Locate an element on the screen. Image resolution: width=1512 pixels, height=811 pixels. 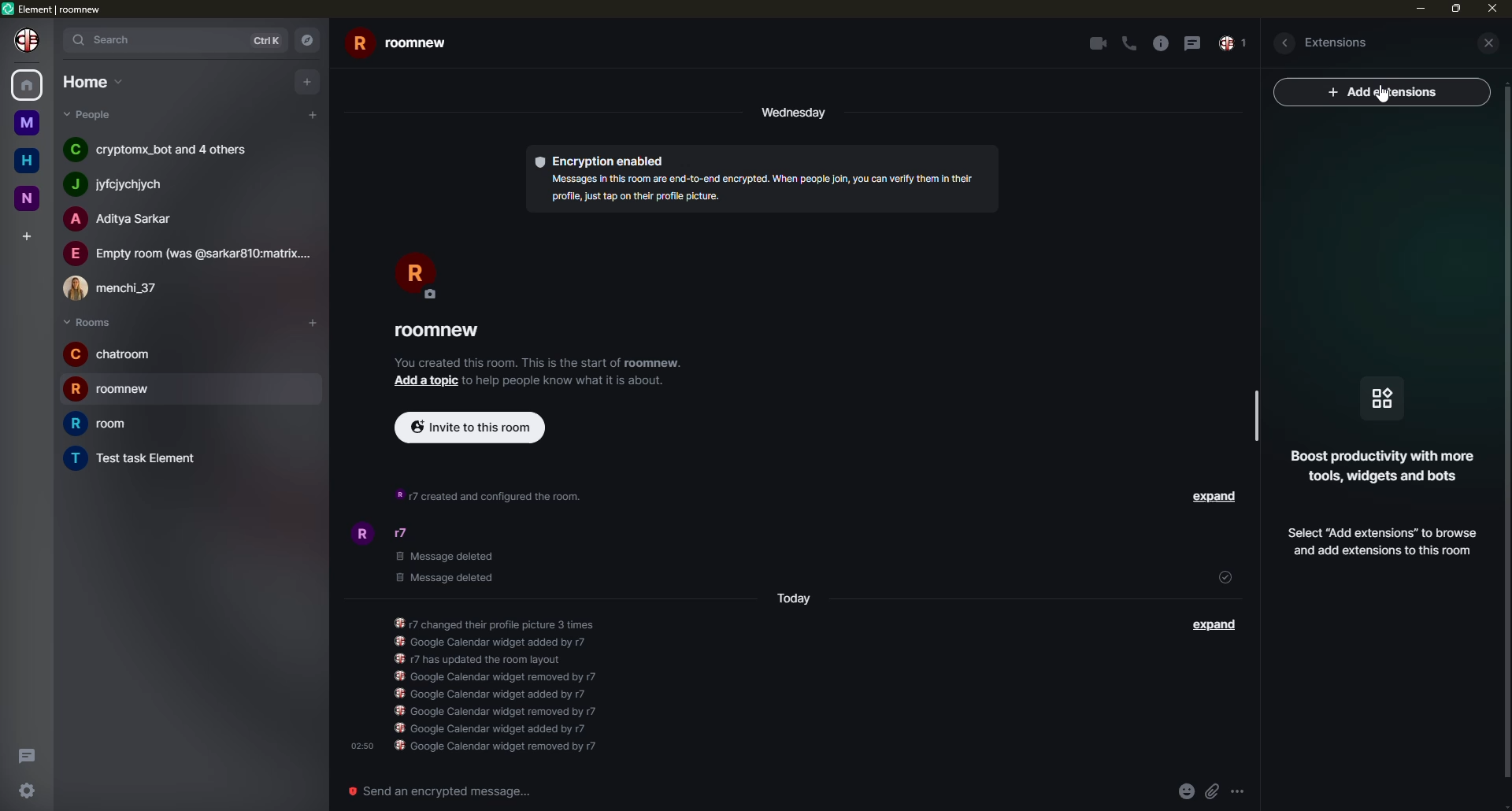
room is located at coordinates (439, 331).